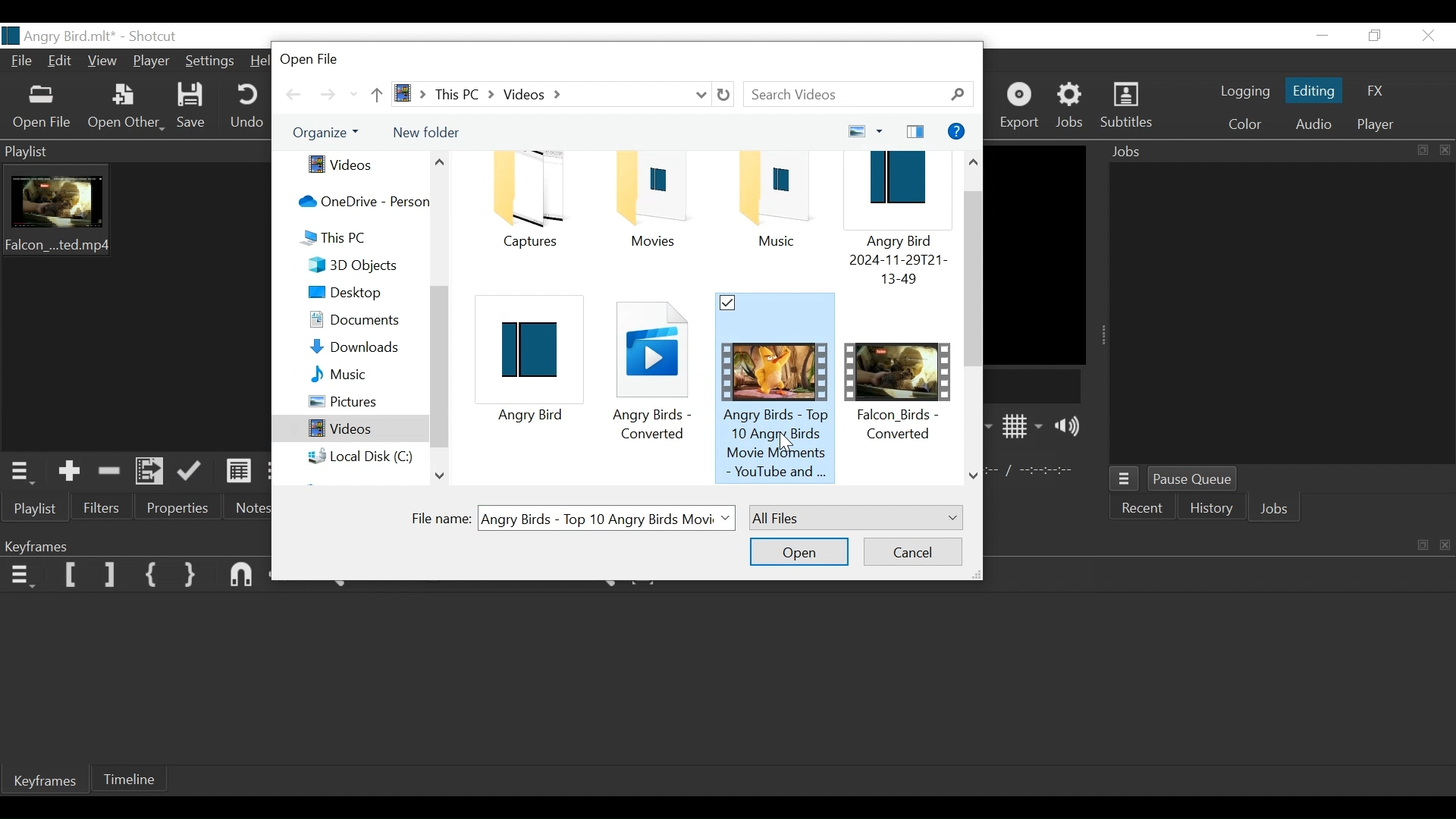 Image resolution: width=1456 pixels, height=819 pixels. Describe the element at coordinates (70, 573) in the screenshot. I see `Set Filter Keyframe ` at that location.